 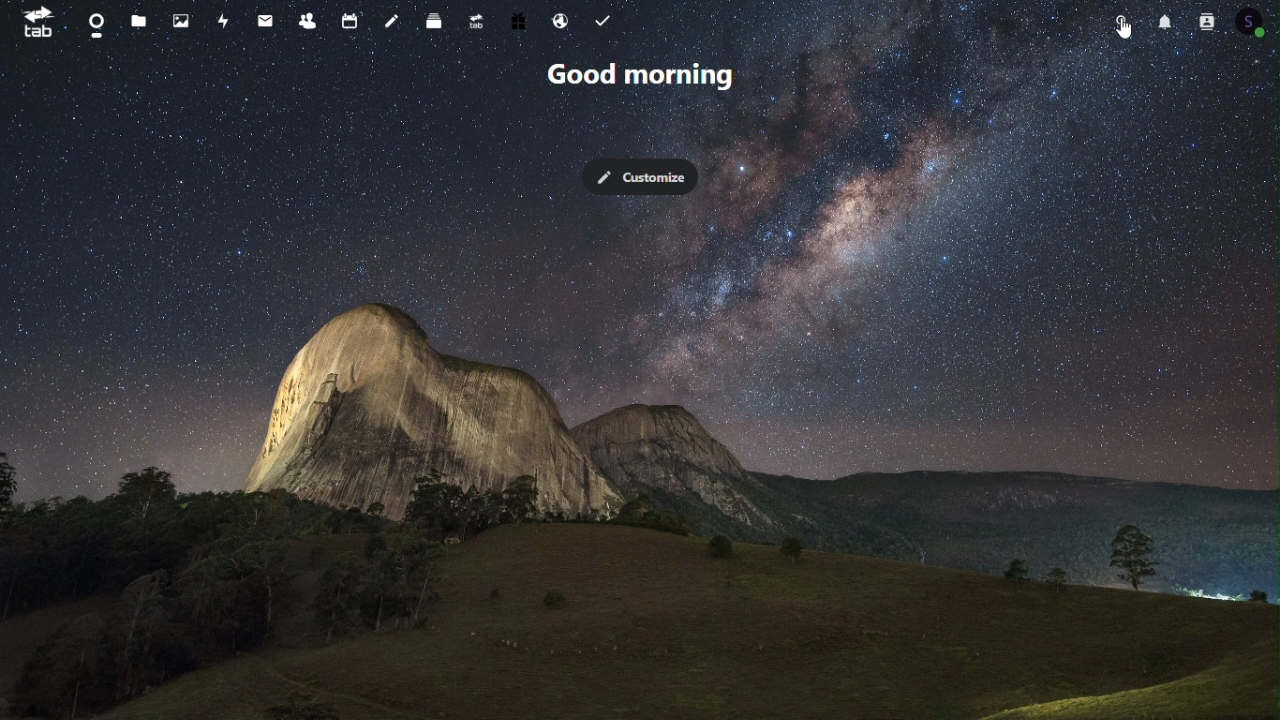 I want to click on Activity , so click(x=225, y=22).